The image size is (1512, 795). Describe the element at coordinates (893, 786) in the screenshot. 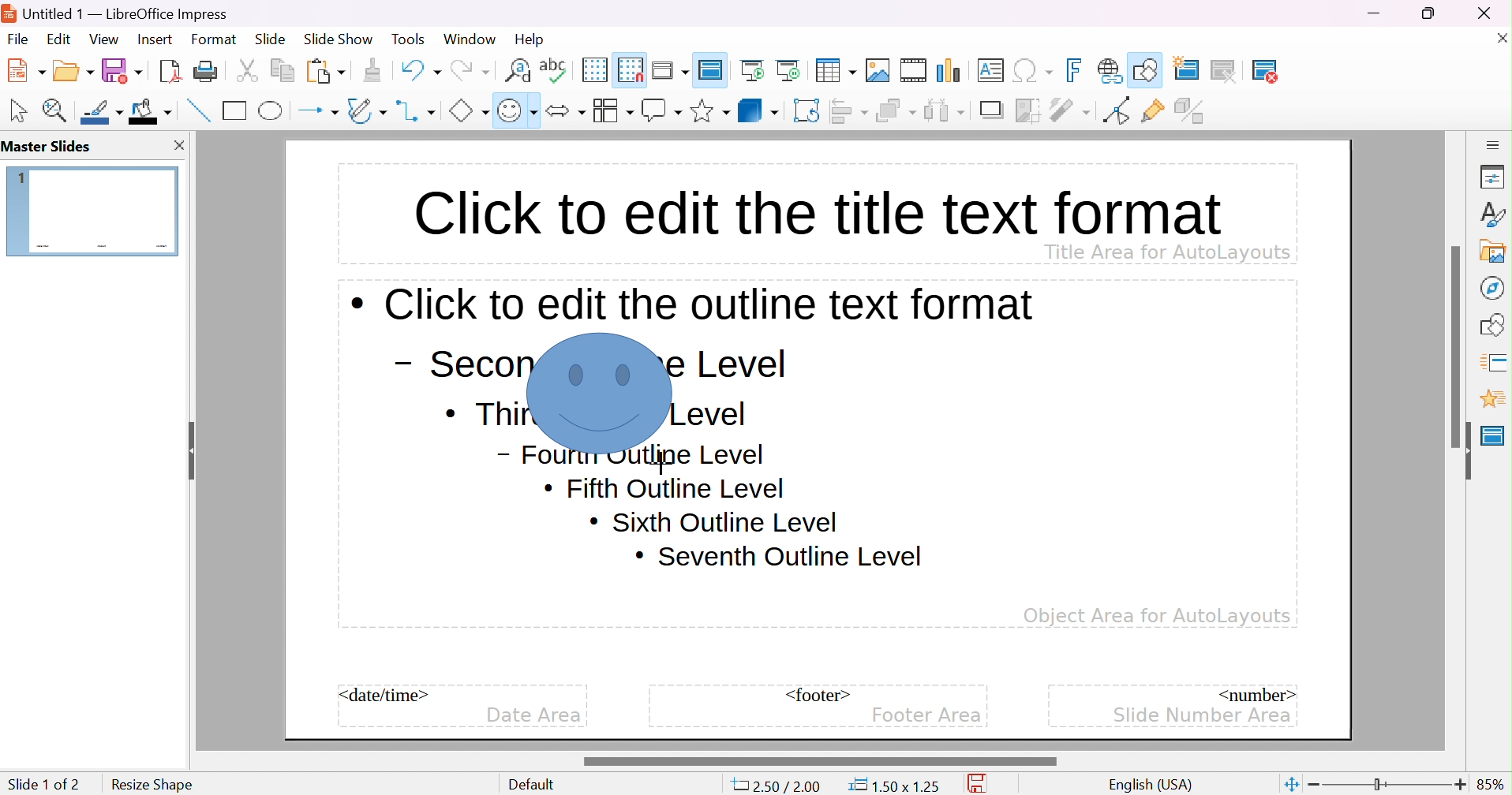

I see `0.00*0.00` at that location.